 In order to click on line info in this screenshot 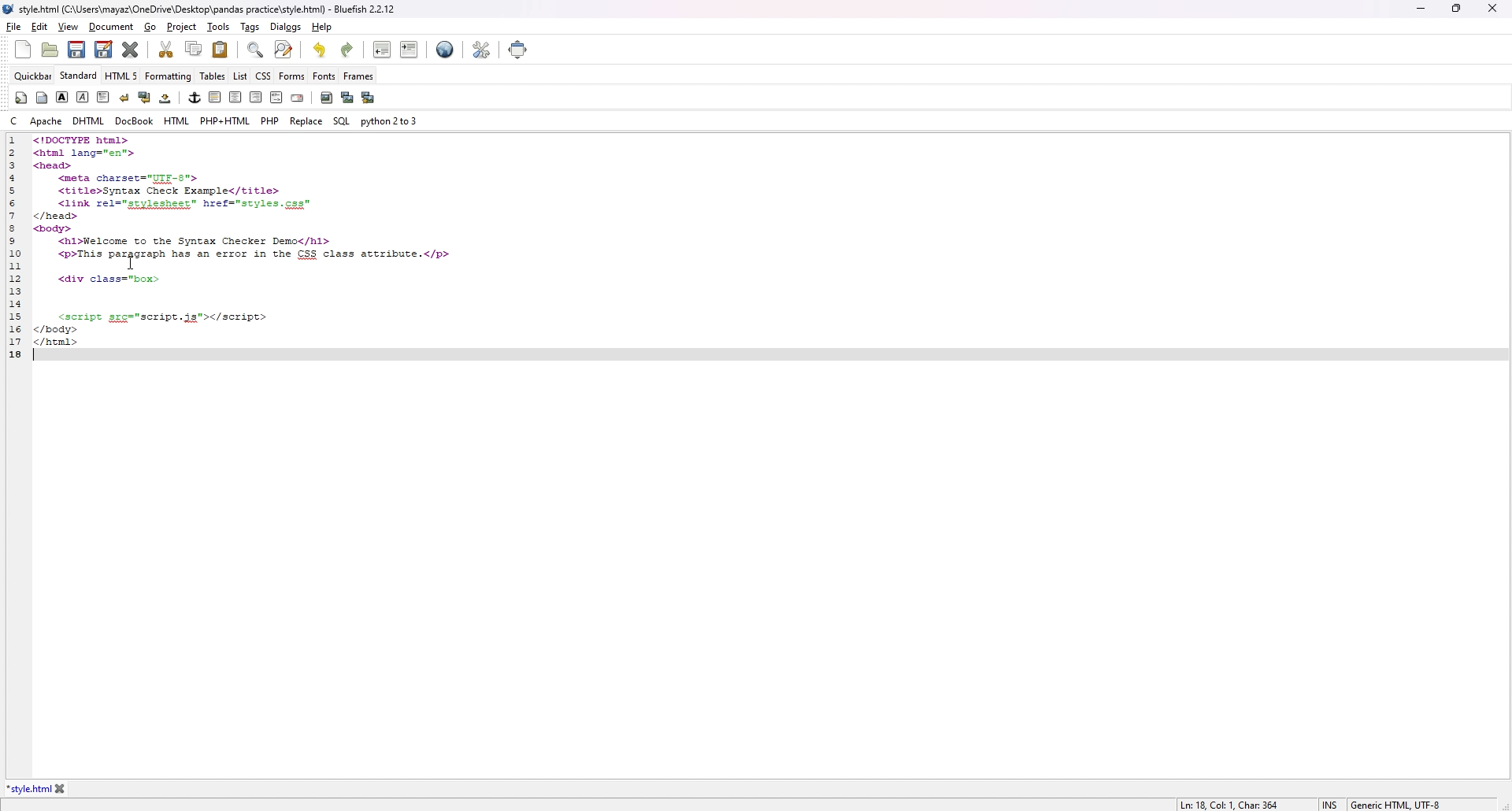, I will do `click(1235, 802)`.